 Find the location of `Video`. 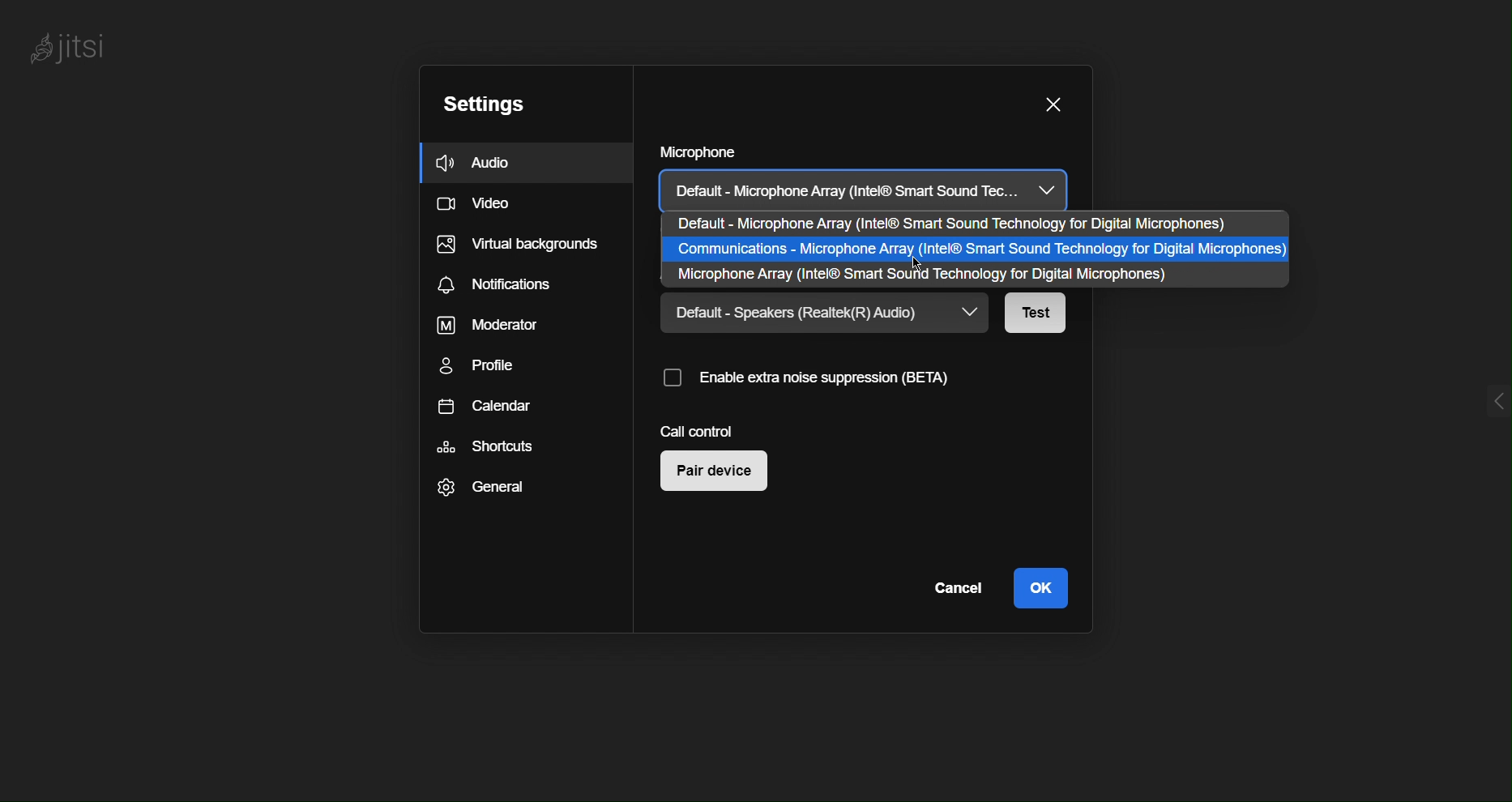

Video is located at coordinates (477, 206).